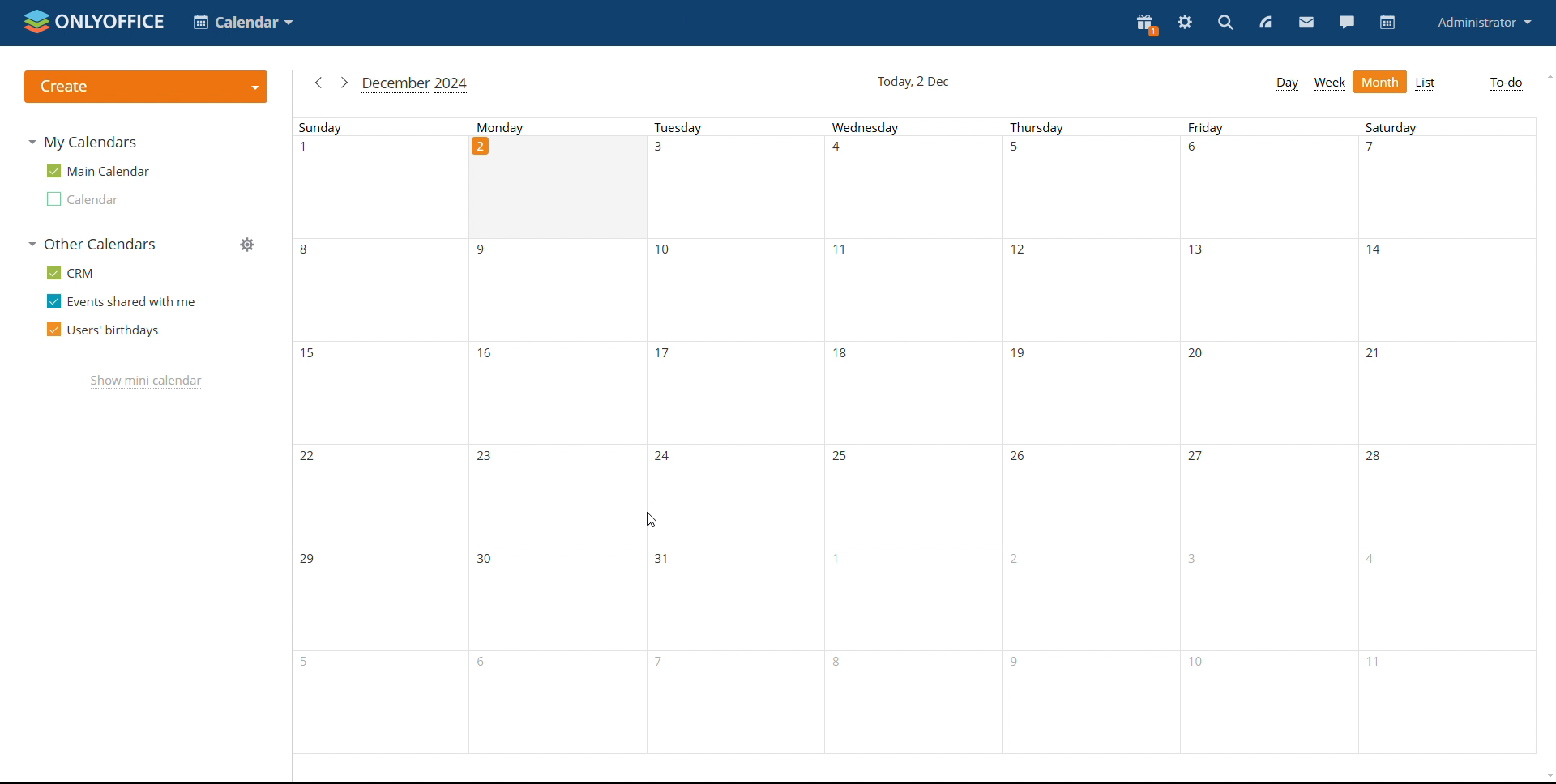 This screenshot has height=784, width=1556. I want to click on current month, so click(416, 84).